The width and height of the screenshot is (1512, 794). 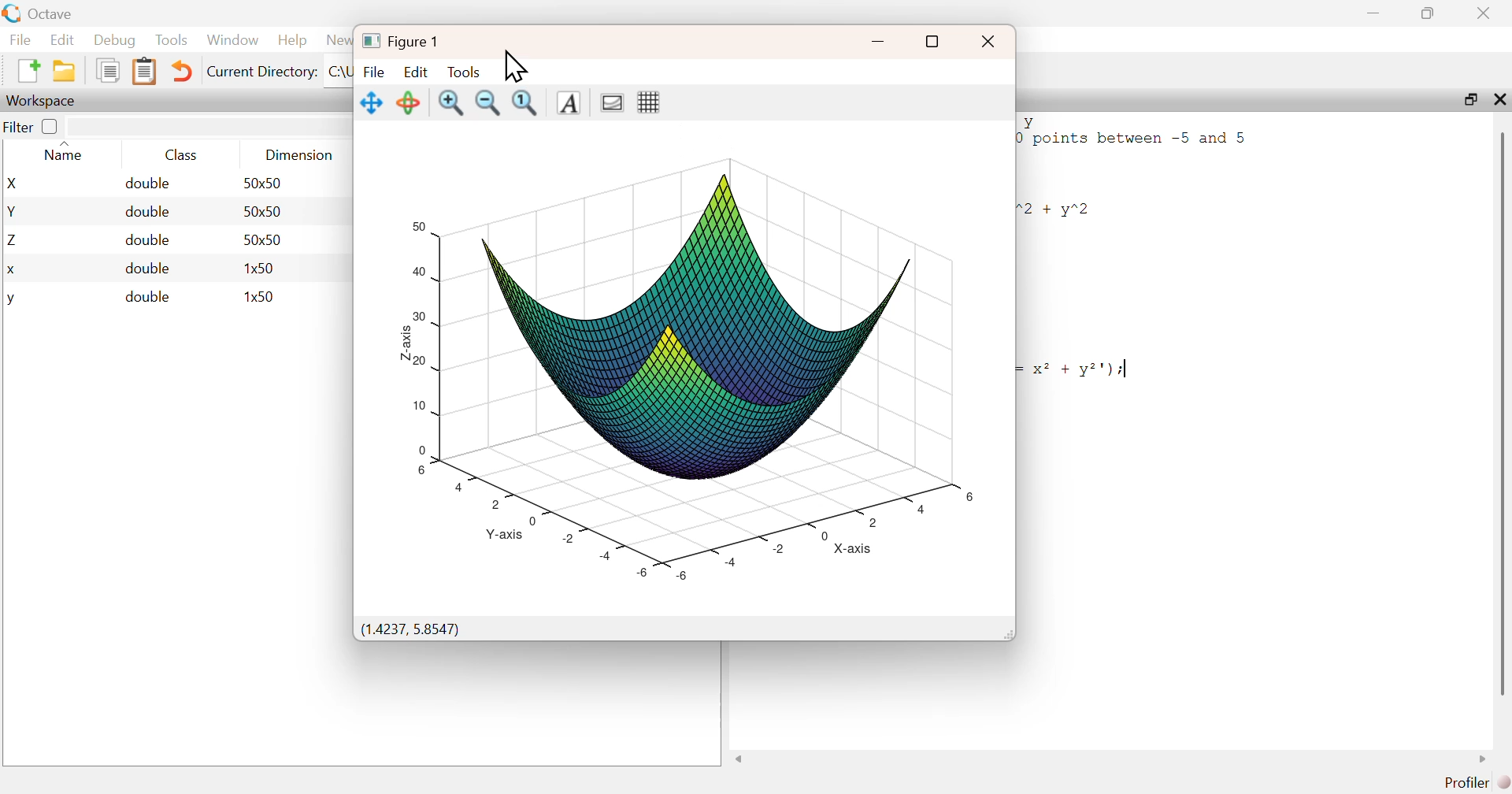 What do you see at coordinates (739, 759) in the screenshot?
I see `scroll left` at bounding box center [739, 759].